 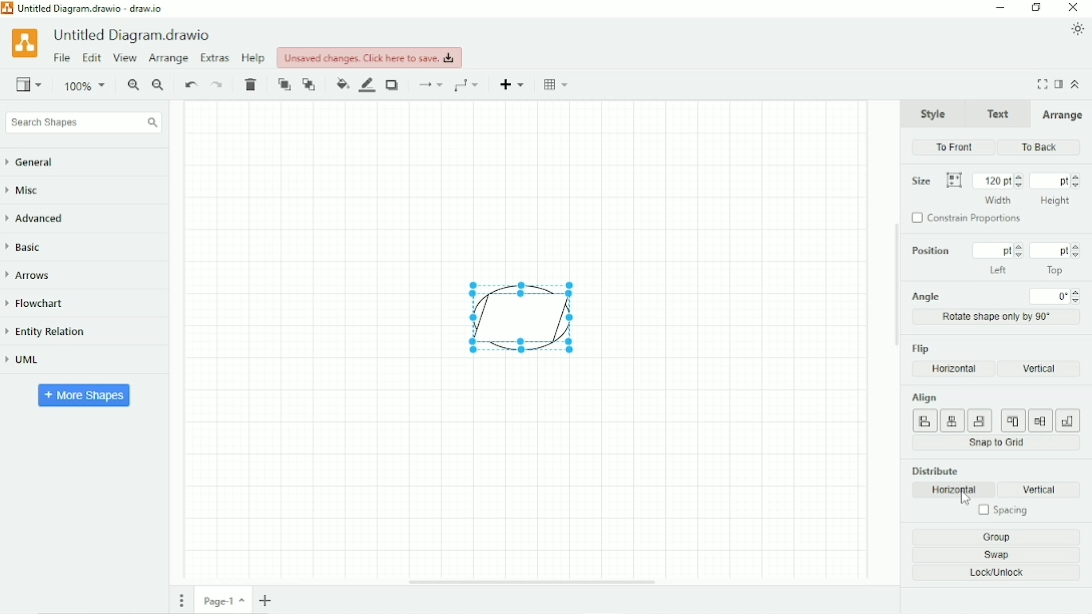 I want to click on Undo, so click(x=190, y=86).